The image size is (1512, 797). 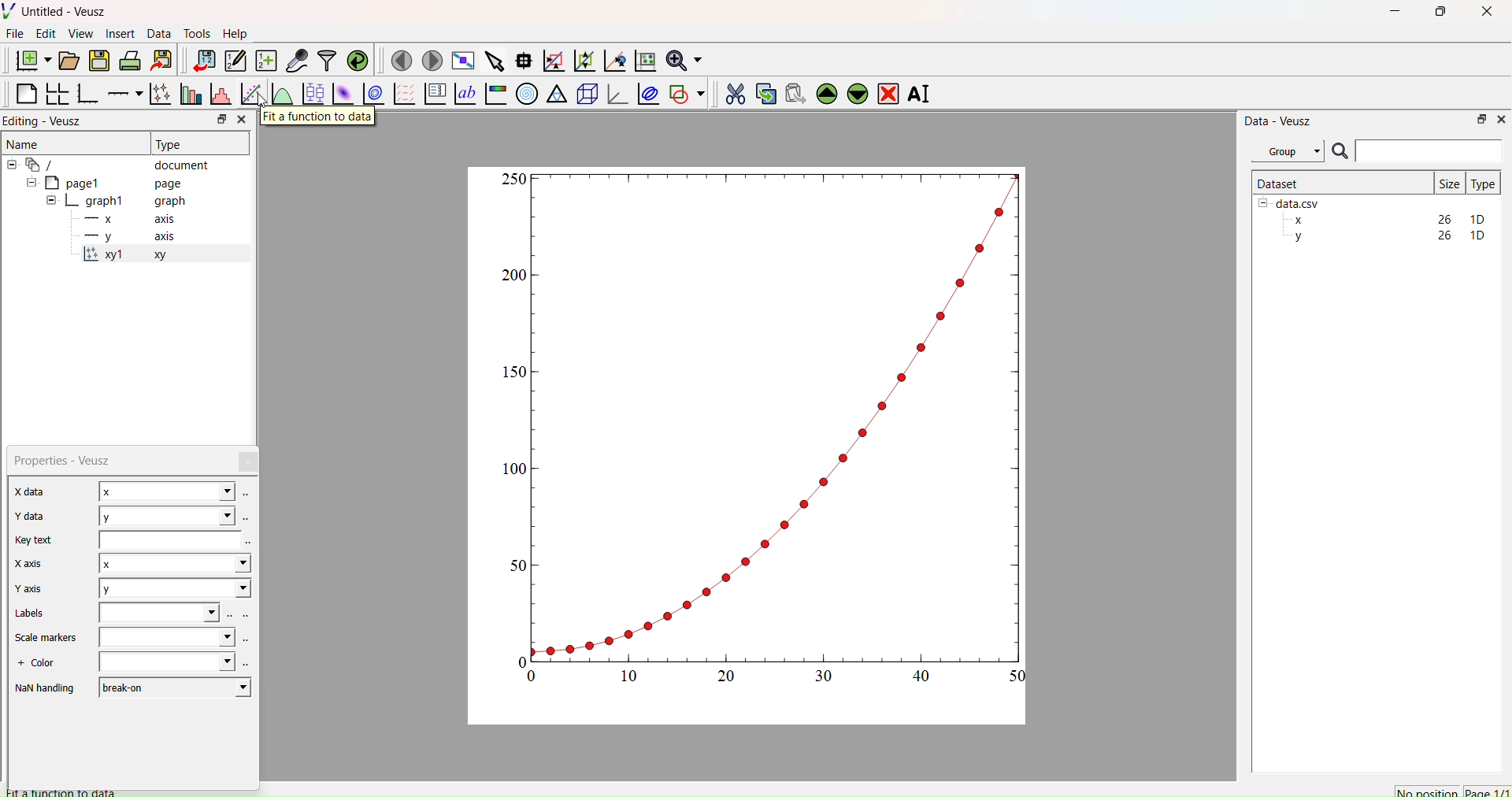 I want to click on Fit a function to data, so click(x=250, y=95).